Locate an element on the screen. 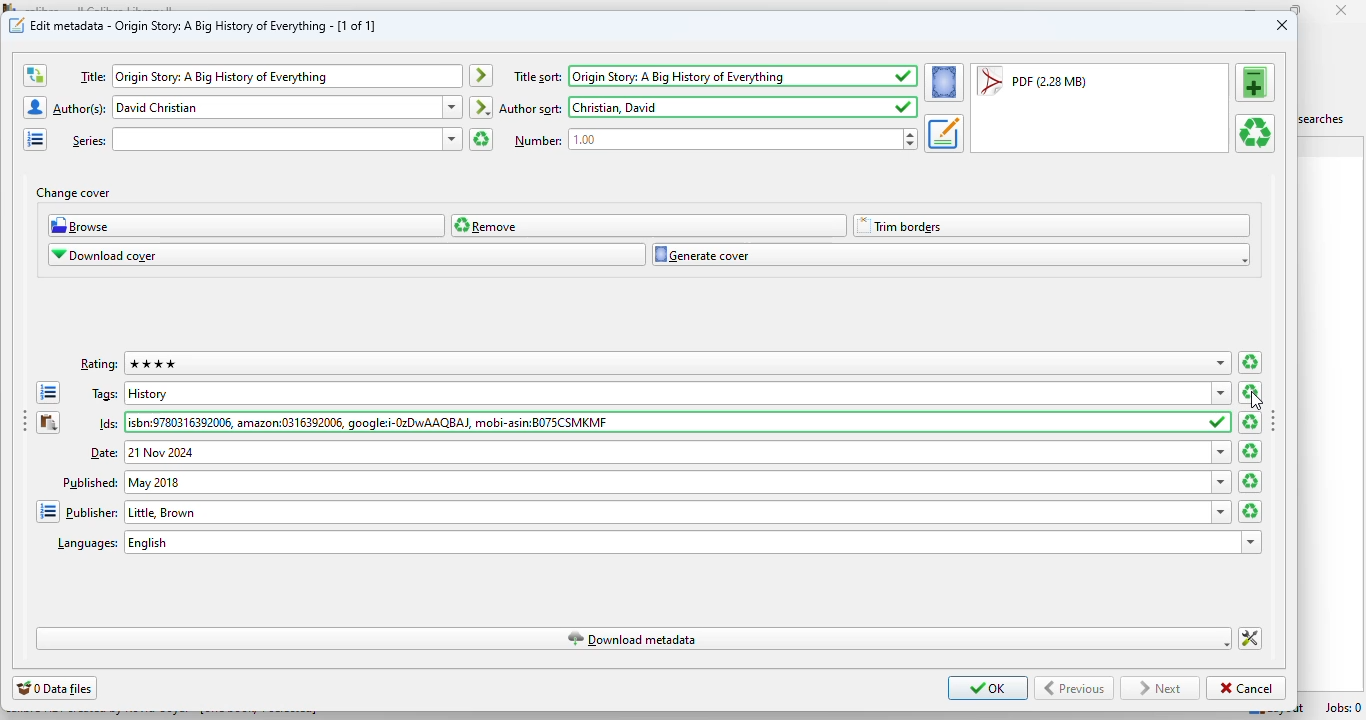  data files is located at coordinates (55, 688).